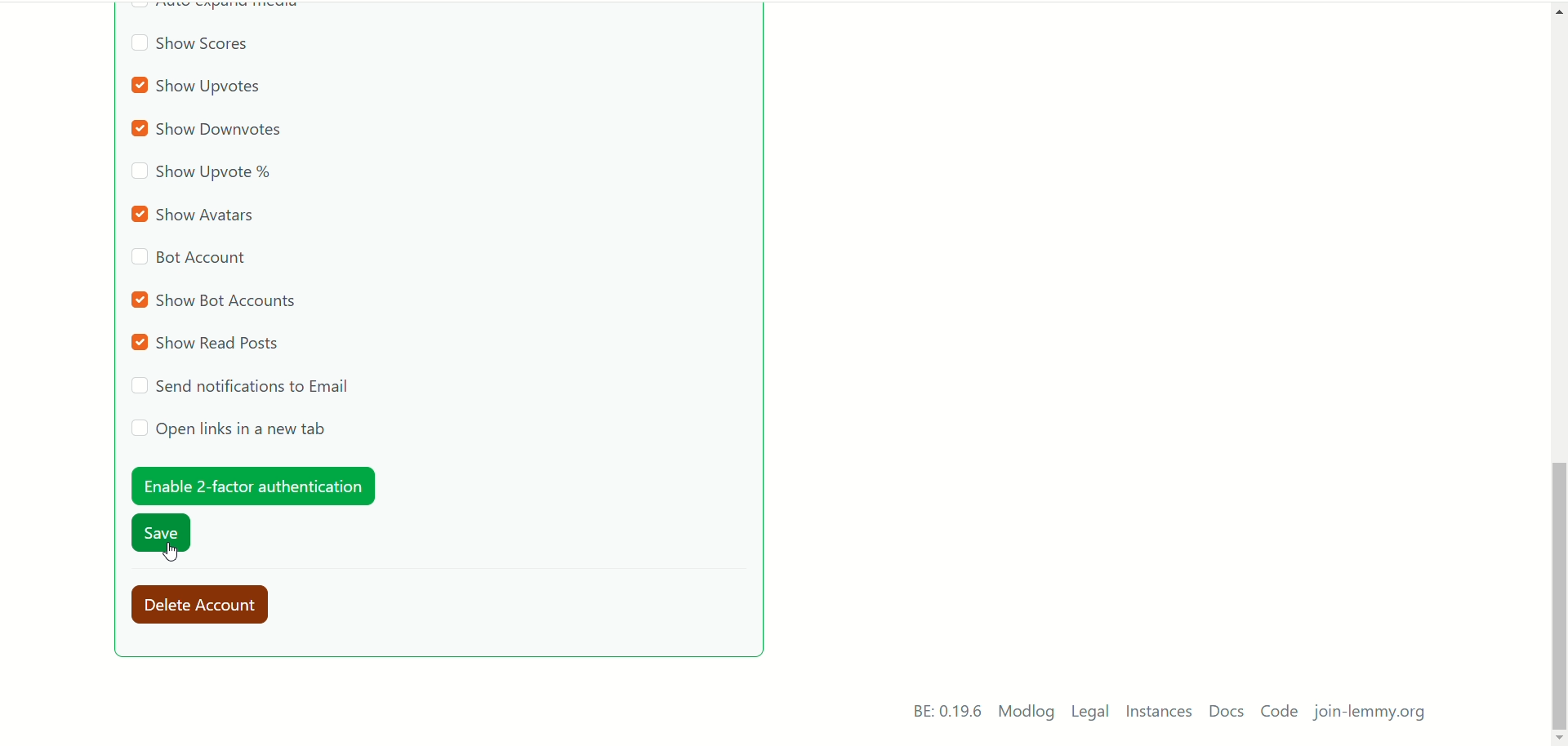  Describe the element at coordinates (944, 712) in the screenshot. I see `BE` at that location.